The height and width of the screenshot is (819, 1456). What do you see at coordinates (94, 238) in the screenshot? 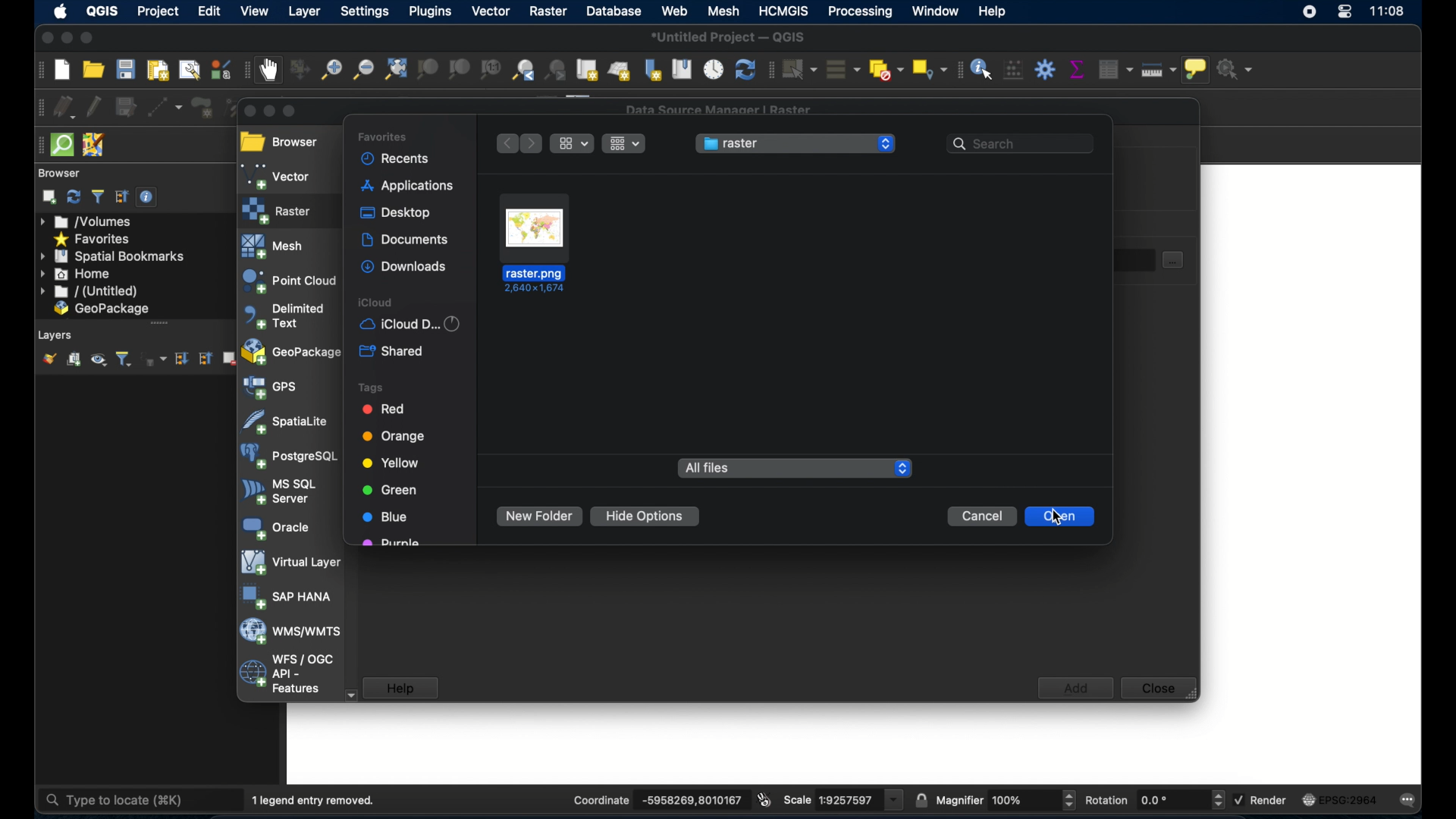
I see `favorites` at bounding box center [94, 238].